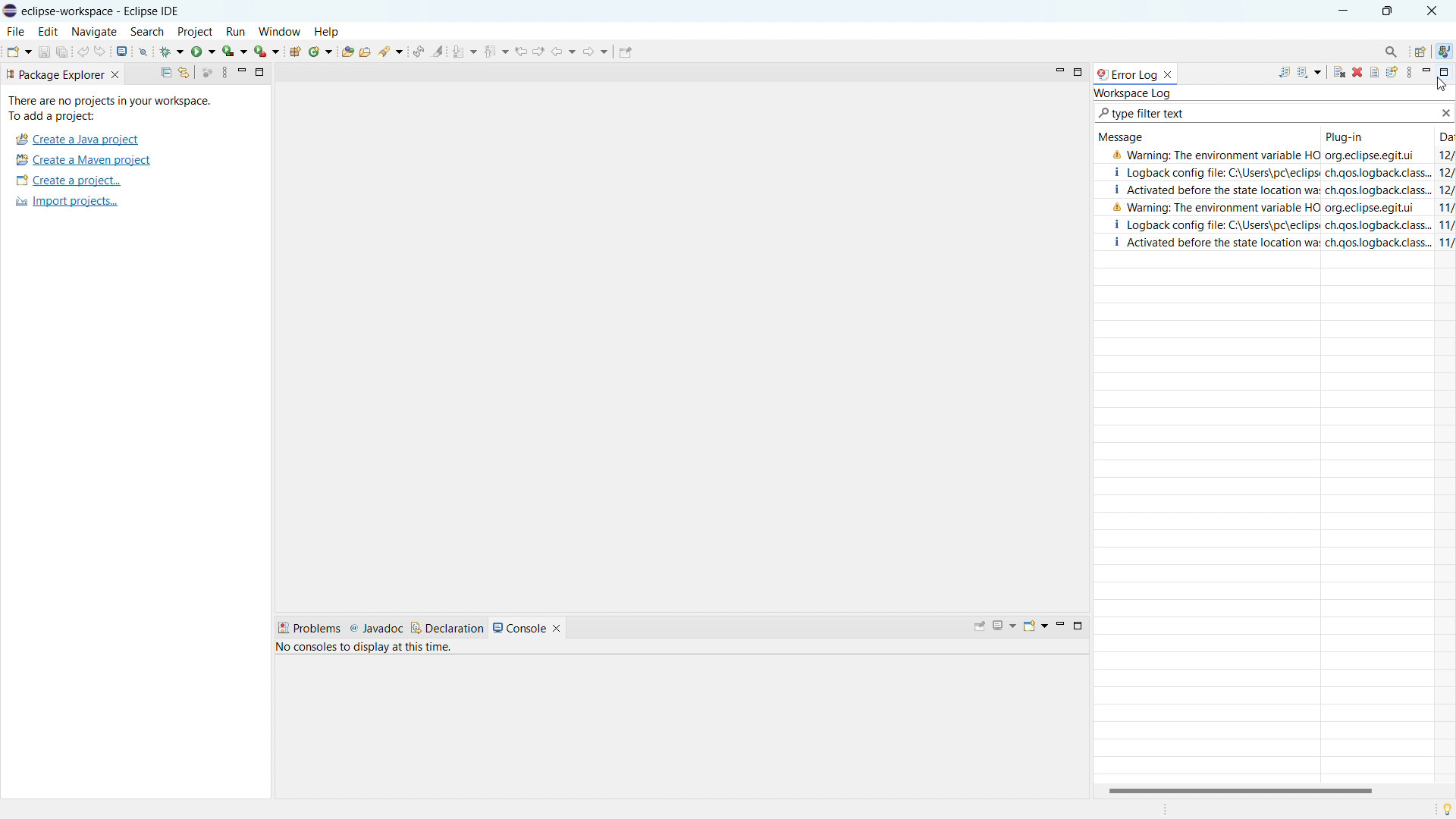  Describe the element at coordinates (465, 51) in the screenshot. I see `next annotation` at that location.